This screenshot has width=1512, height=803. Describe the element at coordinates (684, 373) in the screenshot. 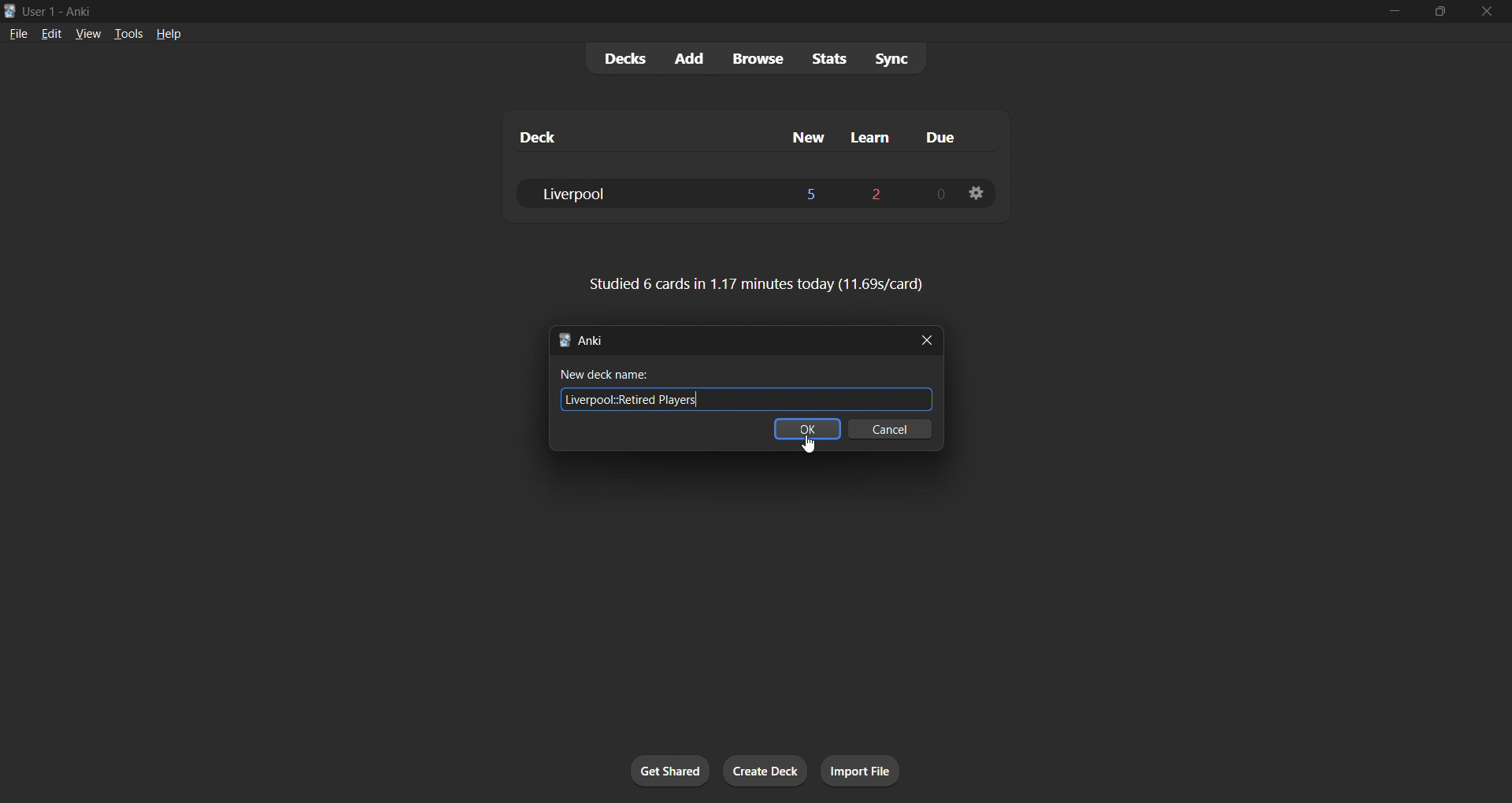

I see `new deck name:` at that location.